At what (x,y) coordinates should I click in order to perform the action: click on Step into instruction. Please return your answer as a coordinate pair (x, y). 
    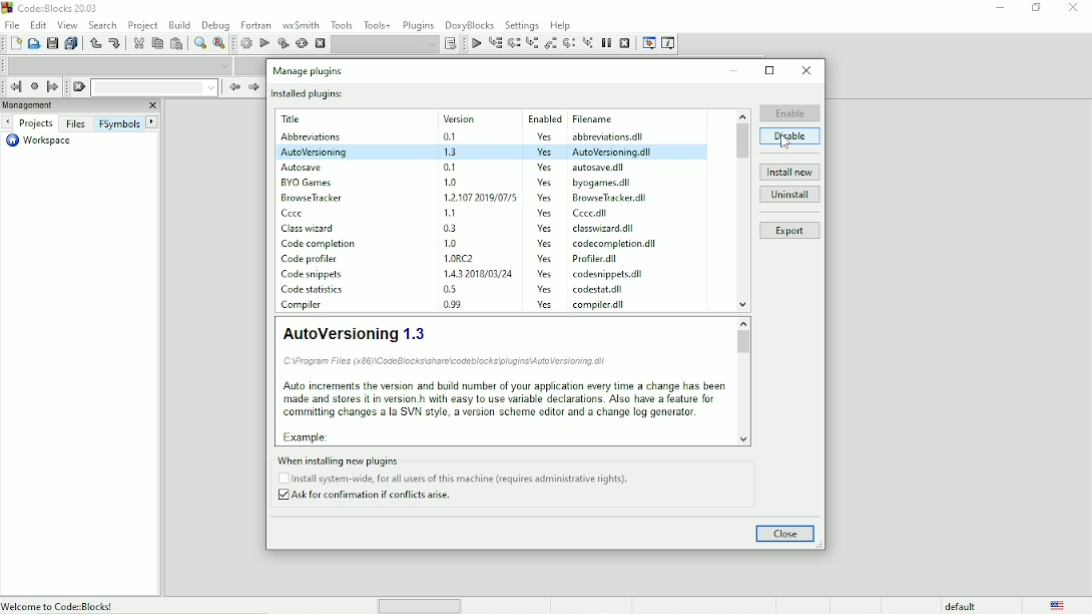
    Looking at the image, I should click on (588, 42).